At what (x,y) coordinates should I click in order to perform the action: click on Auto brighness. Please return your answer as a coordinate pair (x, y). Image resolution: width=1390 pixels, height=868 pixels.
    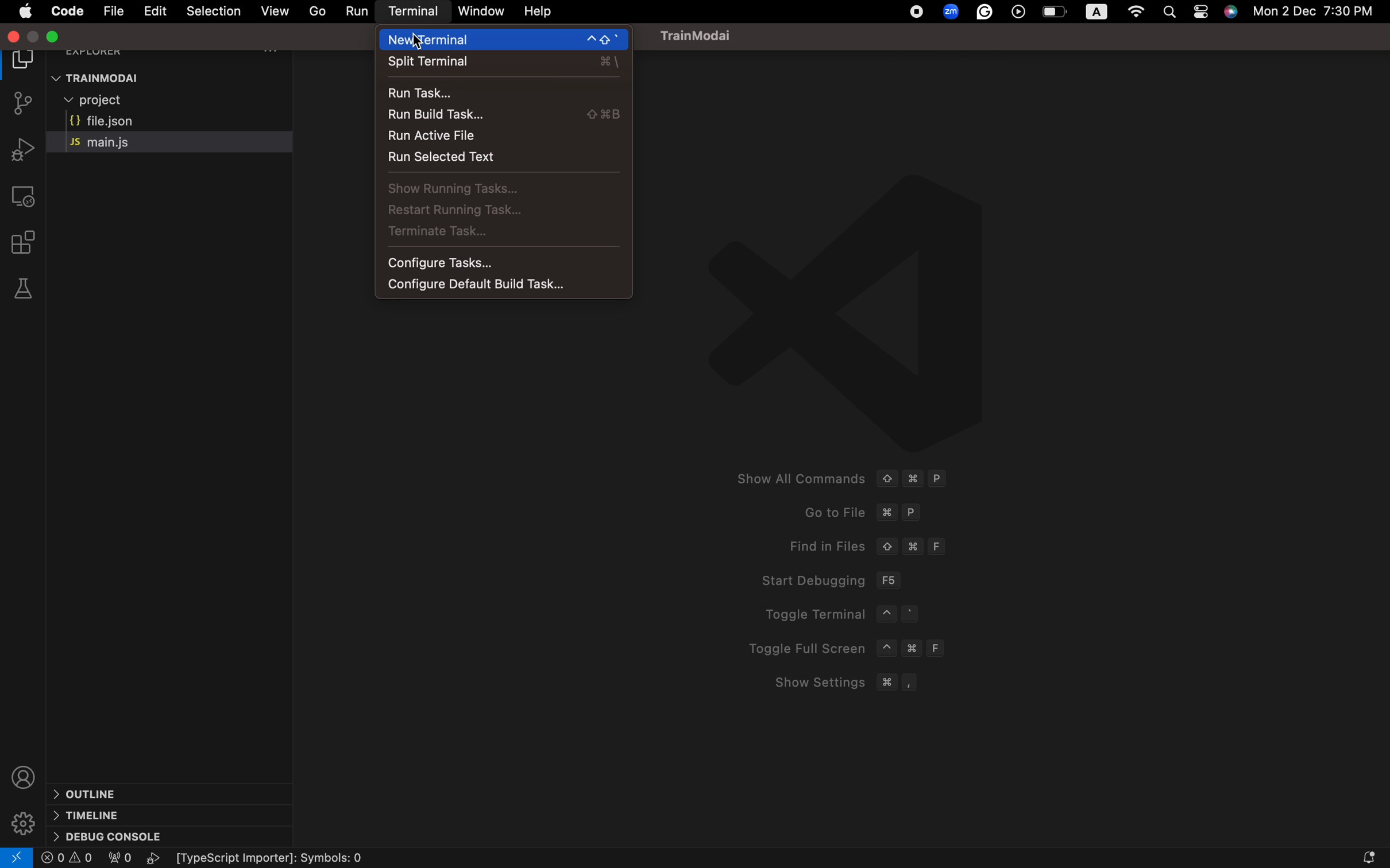
    Looking at the image, I should click on (1097, 12).